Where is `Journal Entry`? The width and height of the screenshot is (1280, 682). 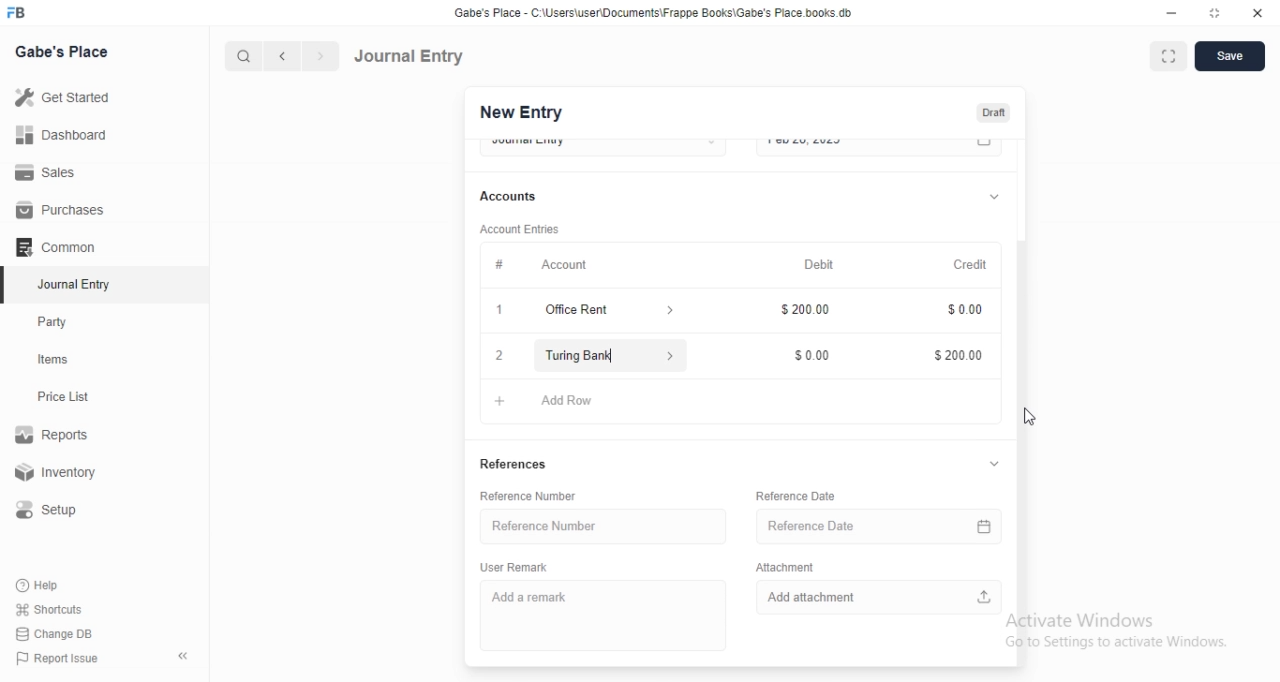
Journal Entry is located at coordinates (409, 56).